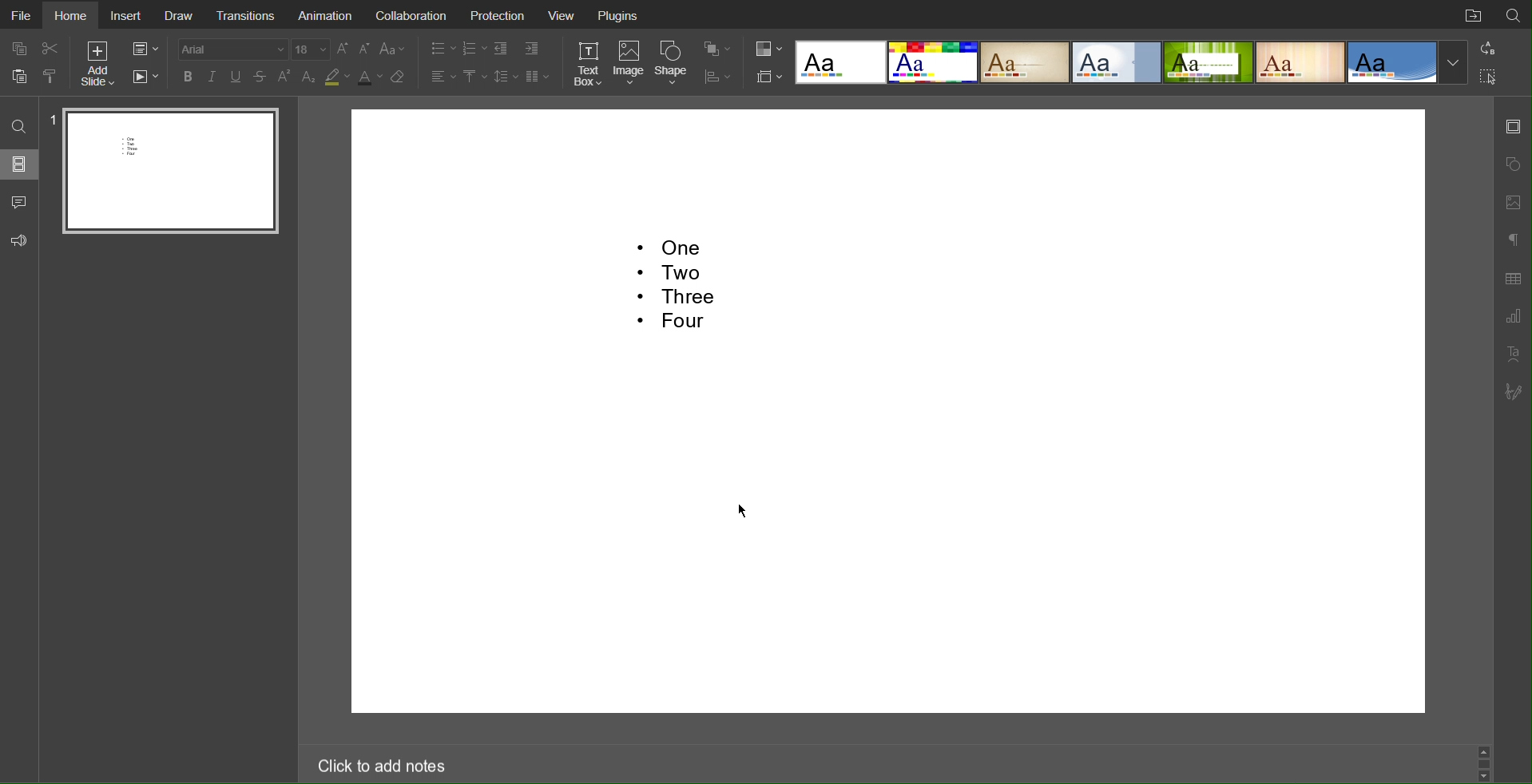 This screenshot has height=784, width=1532. I want to click on Signature, so click(1512, 389).